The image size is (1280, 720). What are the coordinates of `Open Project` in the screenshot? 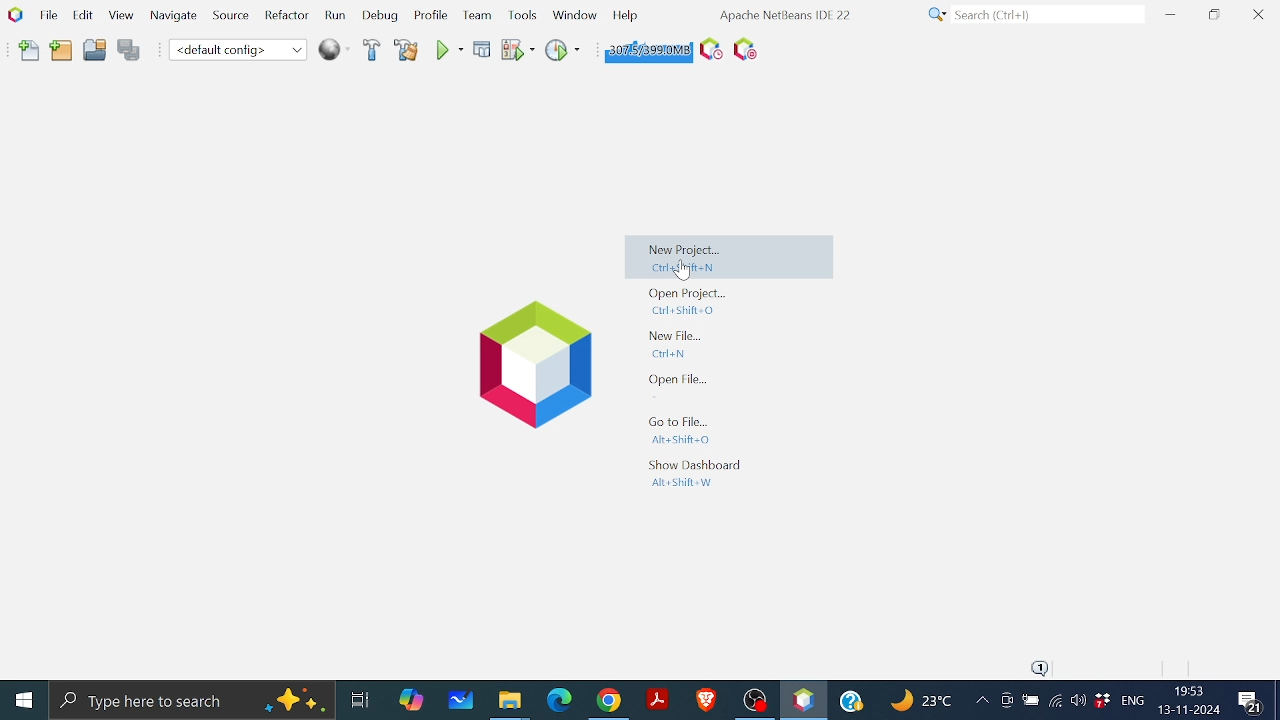 It's located at (688, 301).